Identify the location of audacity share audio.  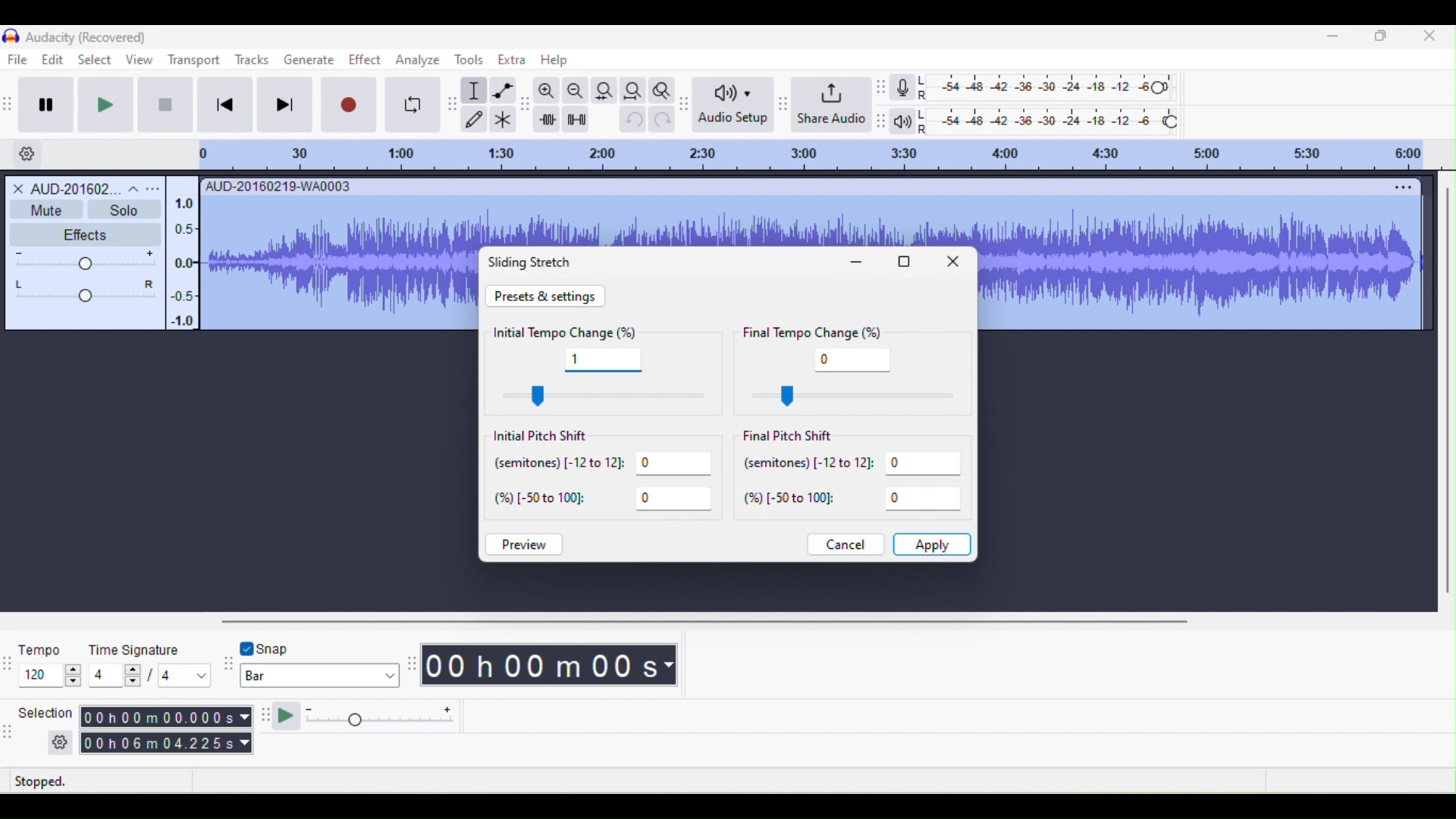
(781, 104).